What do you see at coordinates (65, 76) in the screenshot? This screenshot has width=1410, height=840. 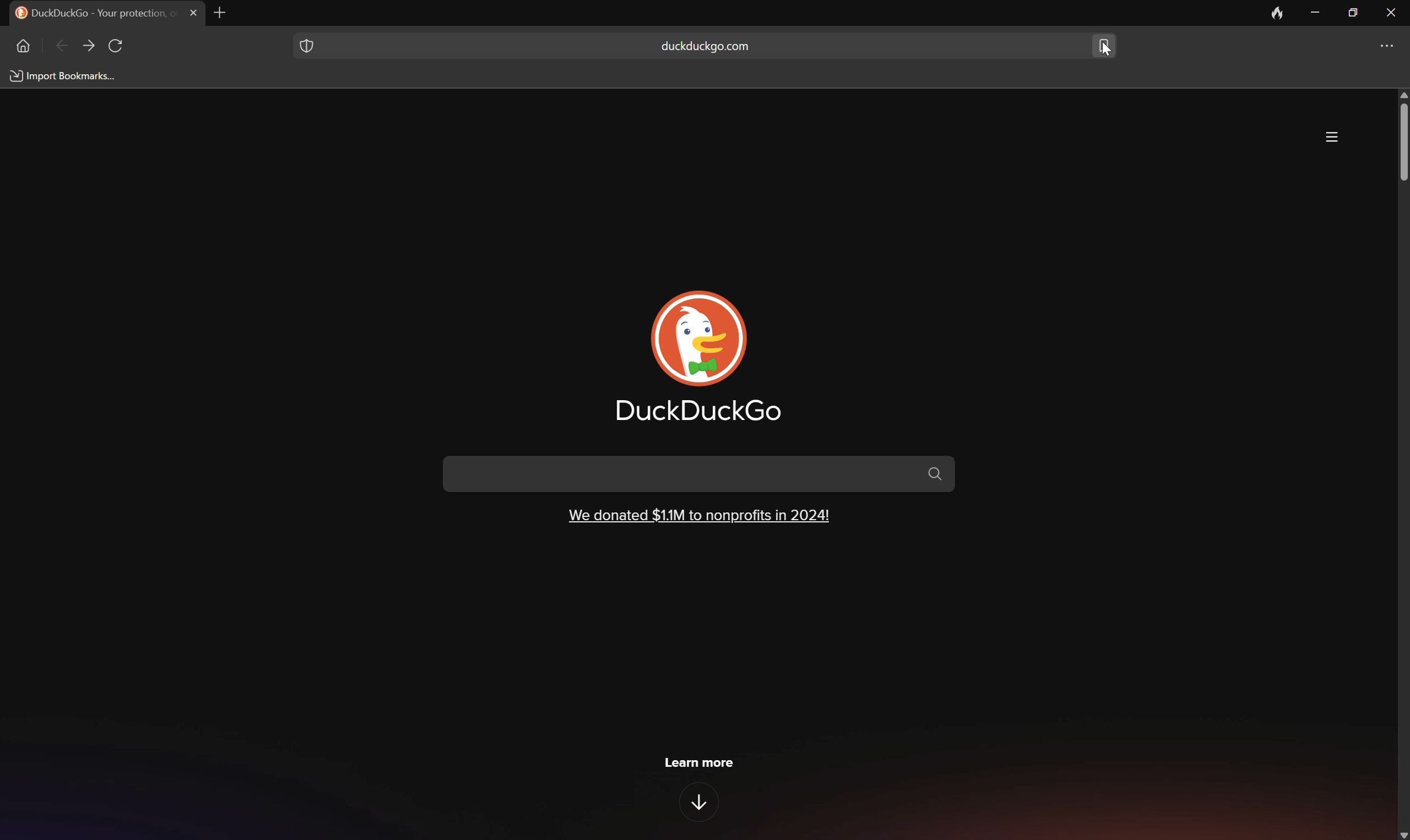 I see `Import Bookmarks` at bounding box center [65, 76].